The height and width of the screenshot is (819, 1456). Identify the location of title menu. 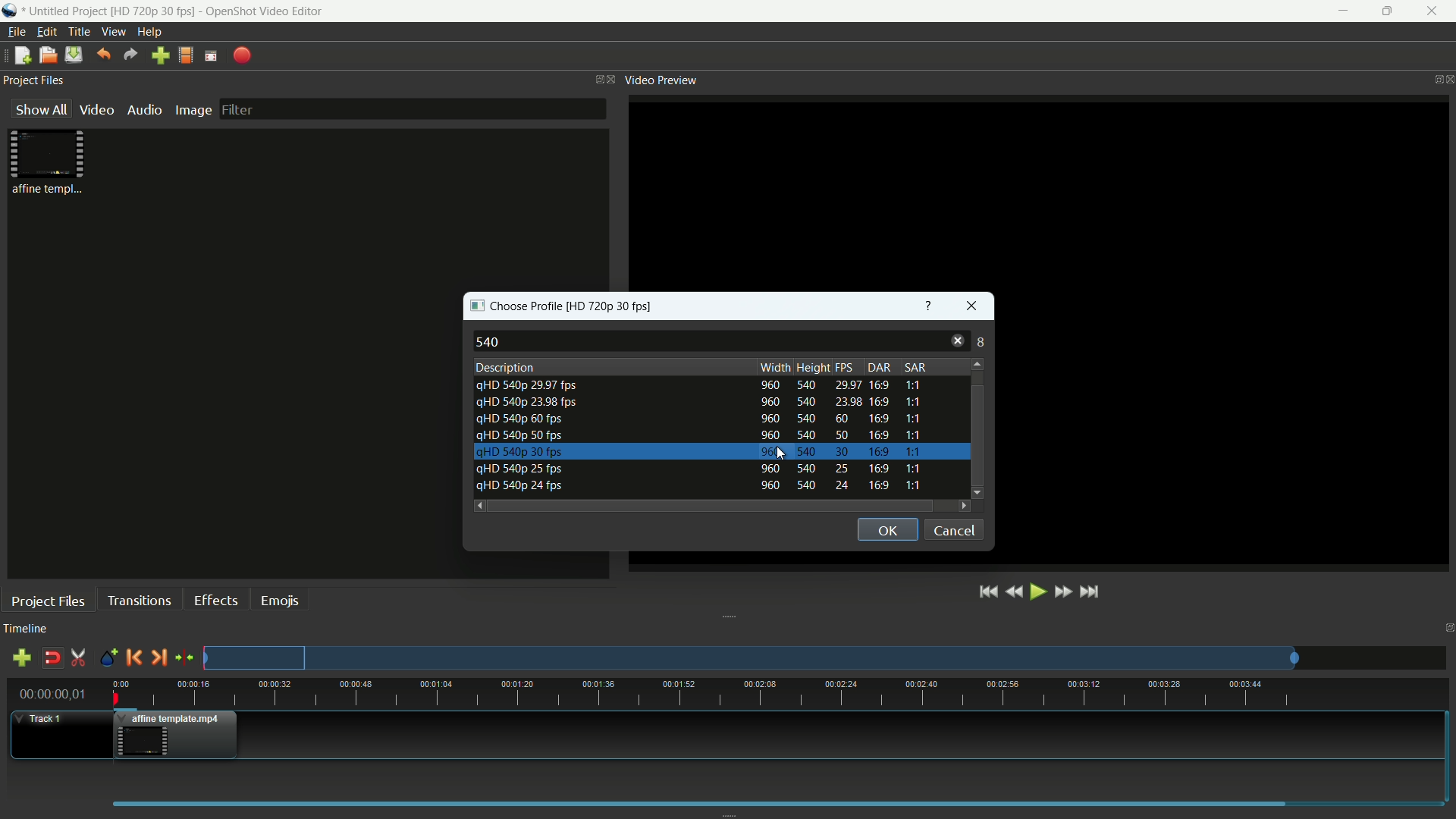
(81, 32).